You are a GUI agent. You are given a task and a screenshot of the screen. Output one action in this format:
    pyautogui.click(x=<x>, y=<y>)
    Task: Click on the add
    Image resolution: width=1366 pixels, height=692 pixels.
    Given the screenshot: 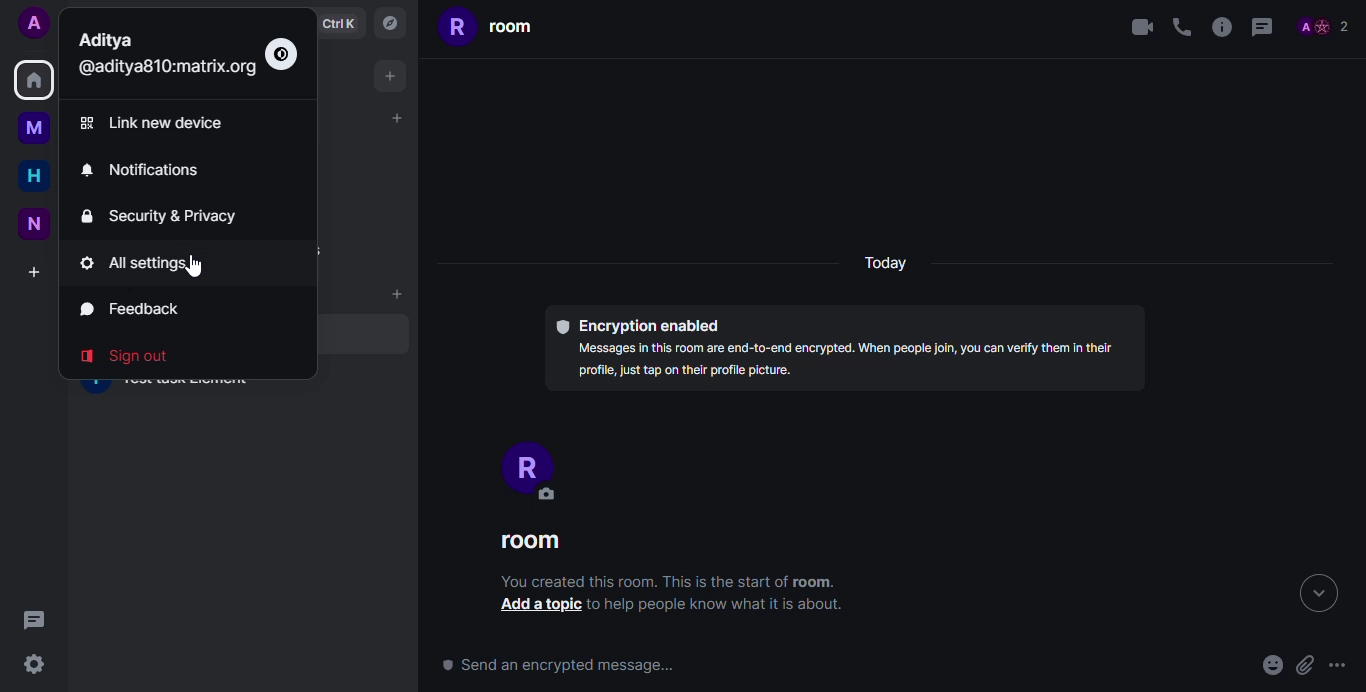 What is the action you would take?
    pyautogui.click(x=396, y=295)
    